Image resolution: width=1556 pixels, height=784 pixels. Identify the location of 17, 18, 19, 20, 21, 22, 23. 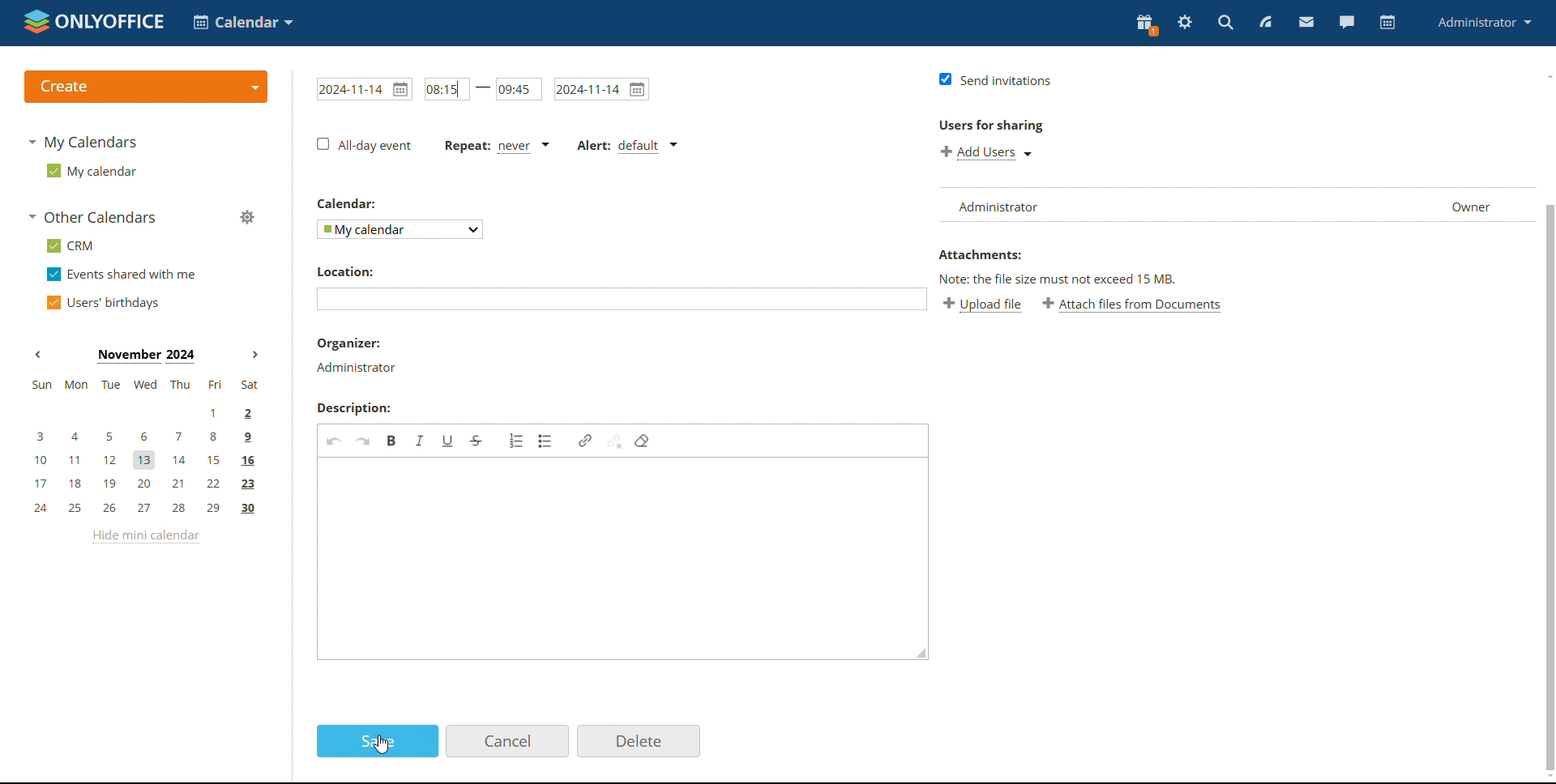
(147, 484).